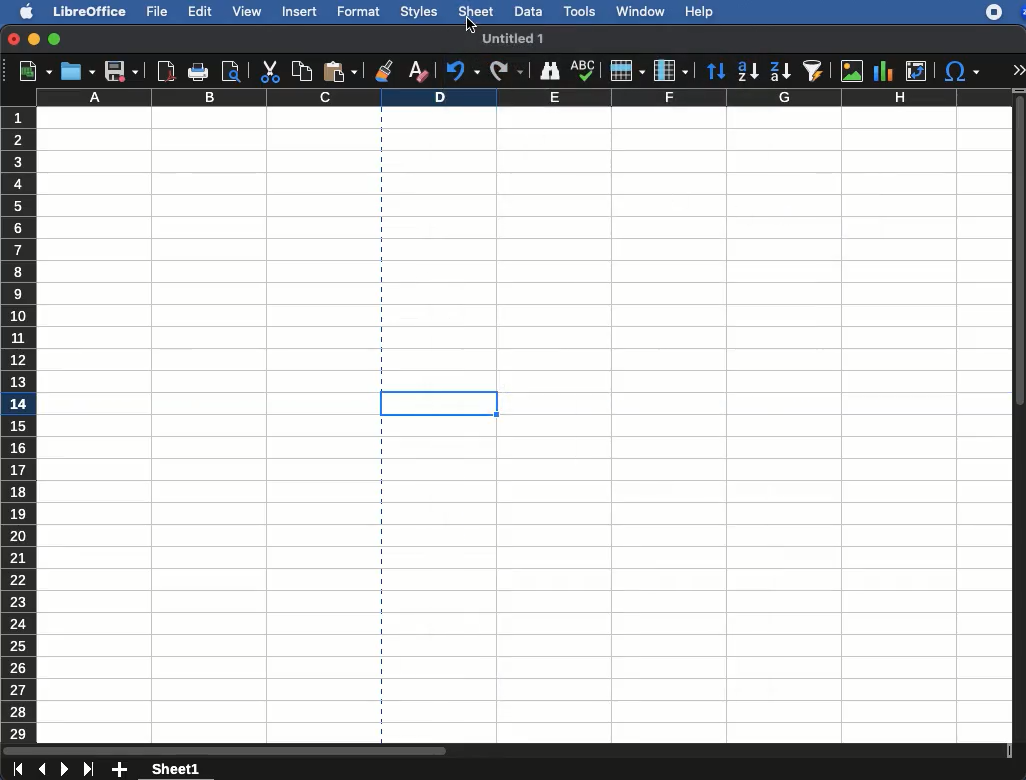  I want to click on next sheet, so click(66, 770).